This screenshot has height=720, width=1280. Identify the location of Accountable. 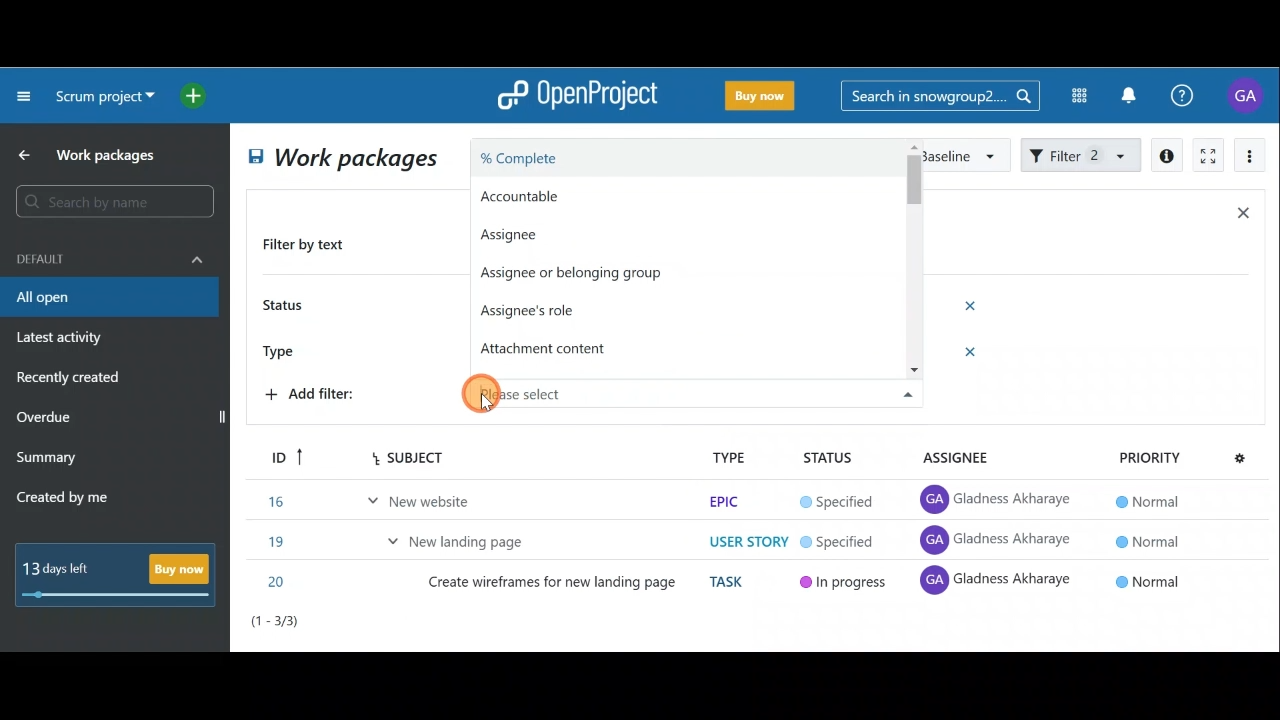
(609, 197).